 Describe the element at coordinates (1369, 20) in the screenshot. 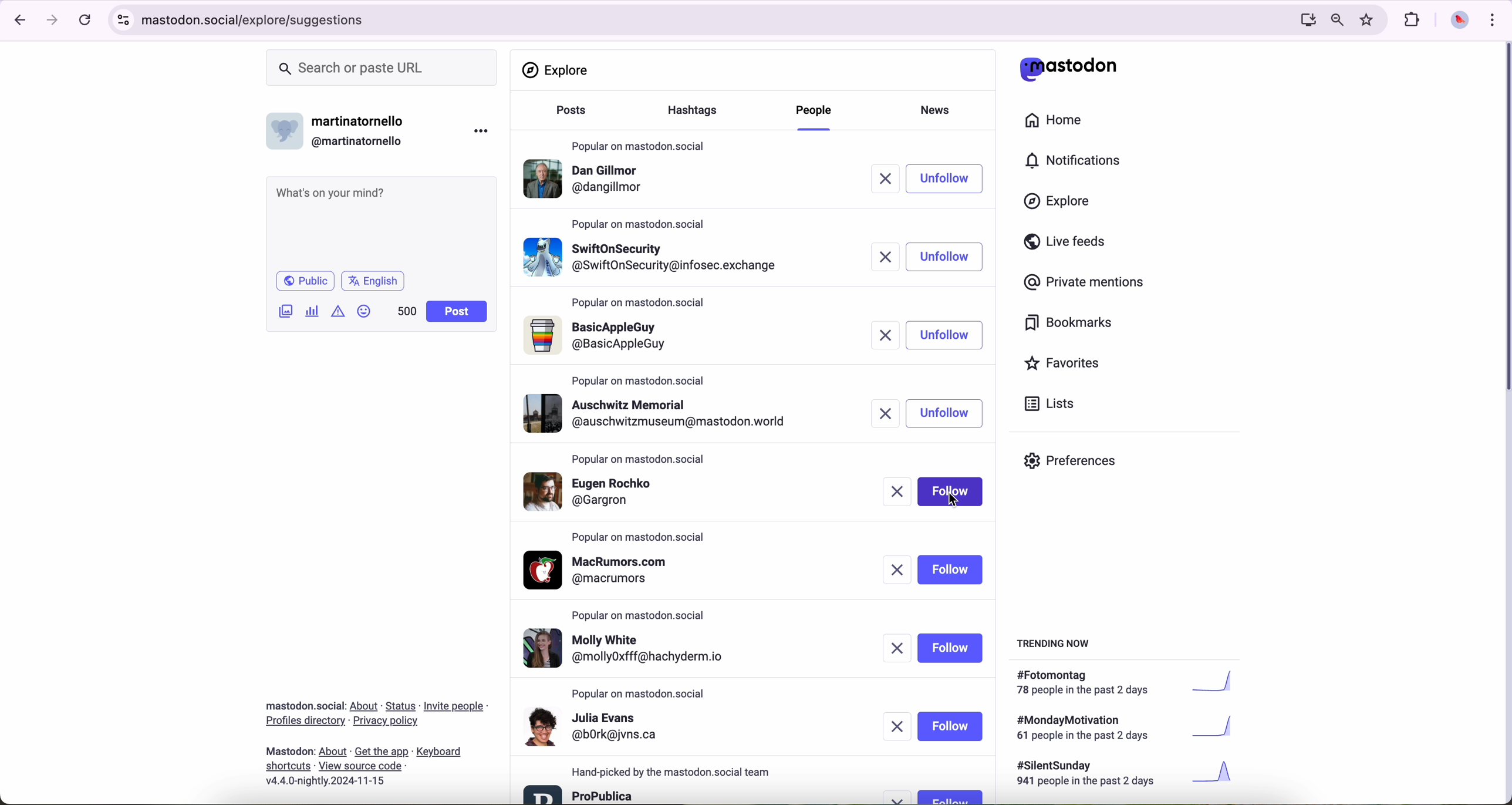

I see `favorites` at that location.